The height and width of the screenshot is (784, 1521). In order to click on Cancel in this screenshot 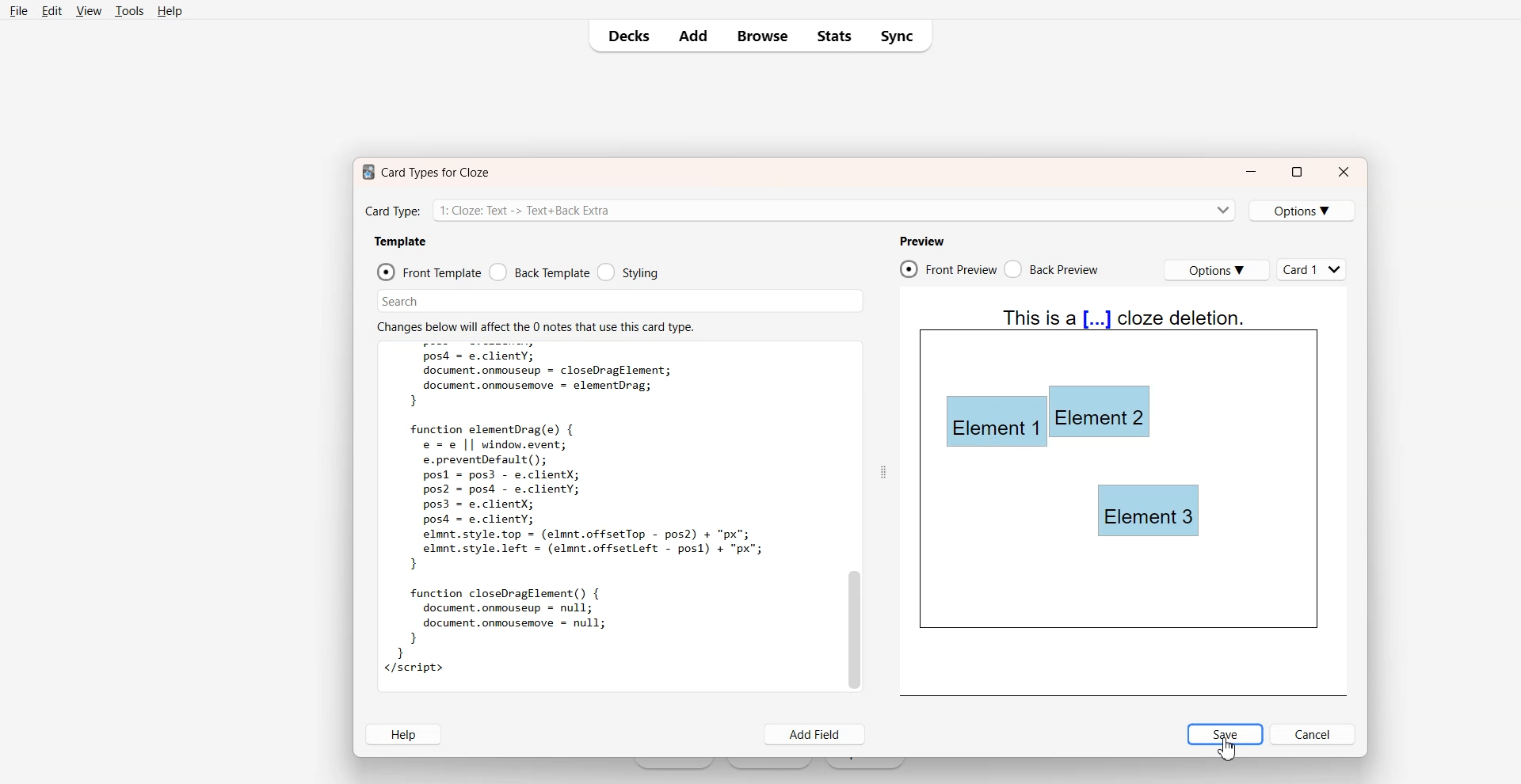, I will do `click(1314, 734)`.